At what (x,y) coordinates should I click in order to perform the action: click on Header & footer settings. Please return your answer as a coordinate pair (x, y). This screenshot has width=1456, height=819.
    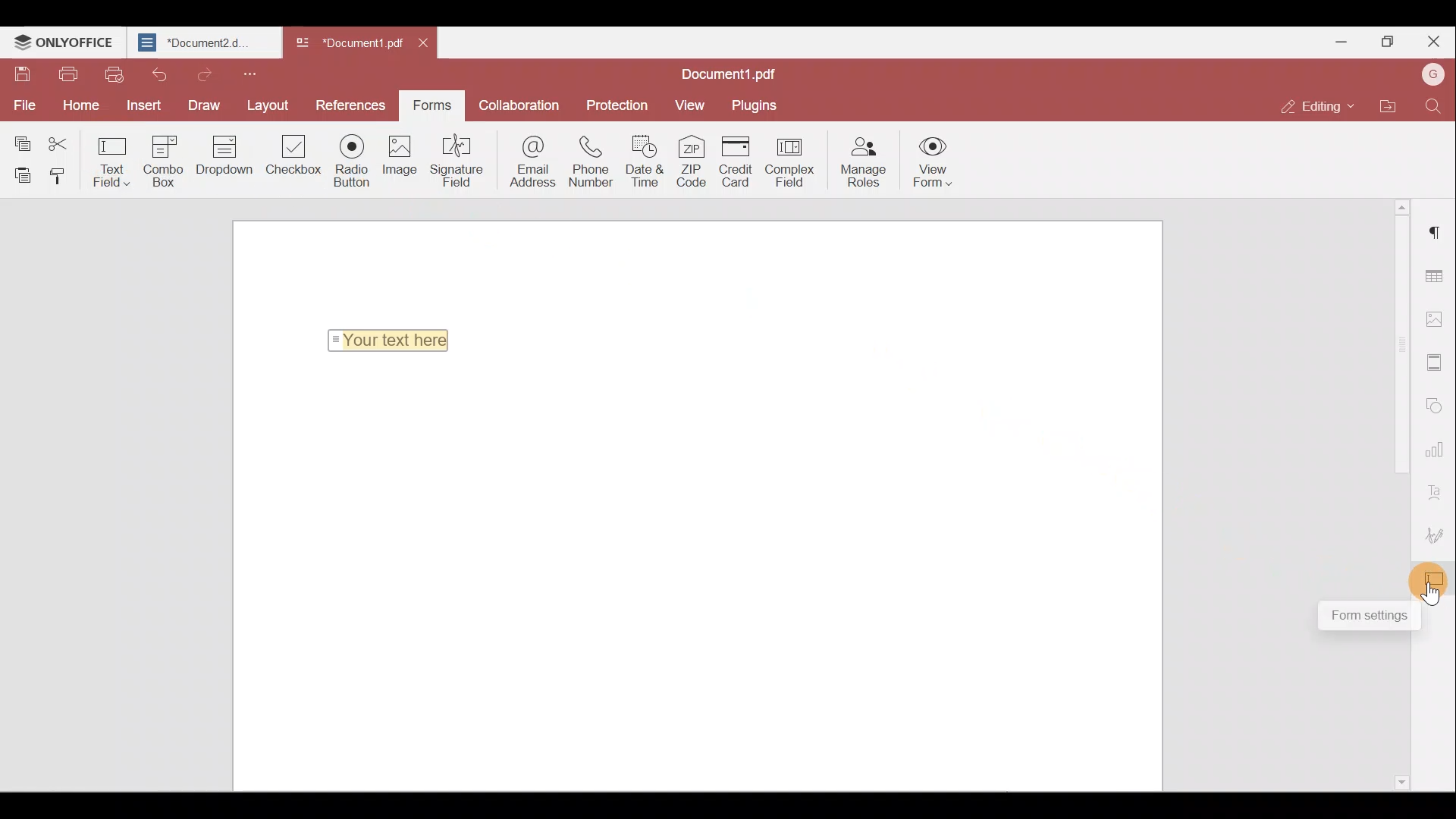
    Looking at the image, I should click on (1437, 362).